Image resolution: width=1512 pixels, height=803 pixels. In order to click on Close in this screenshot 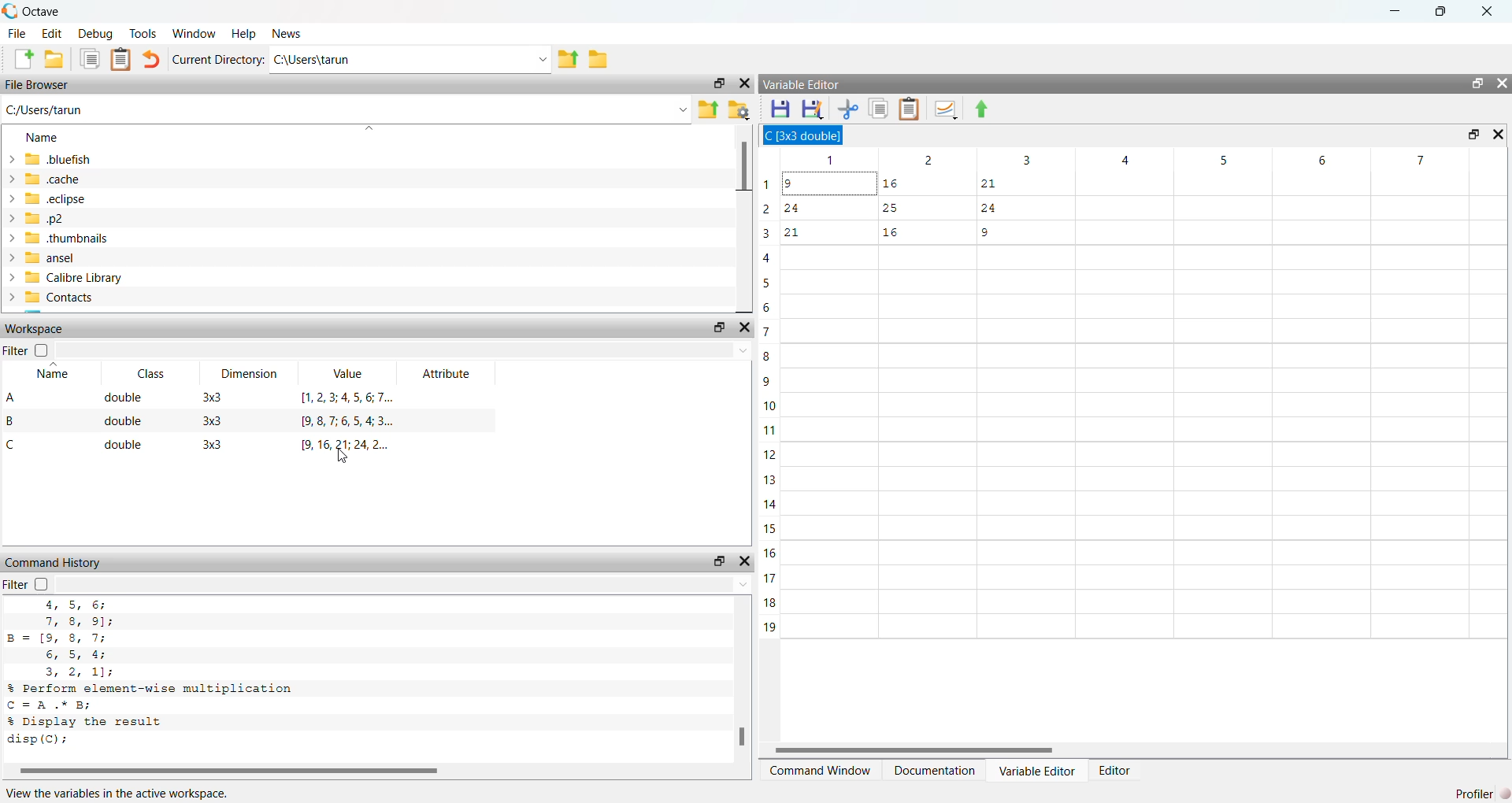, I will do `click(1497, 135)`.